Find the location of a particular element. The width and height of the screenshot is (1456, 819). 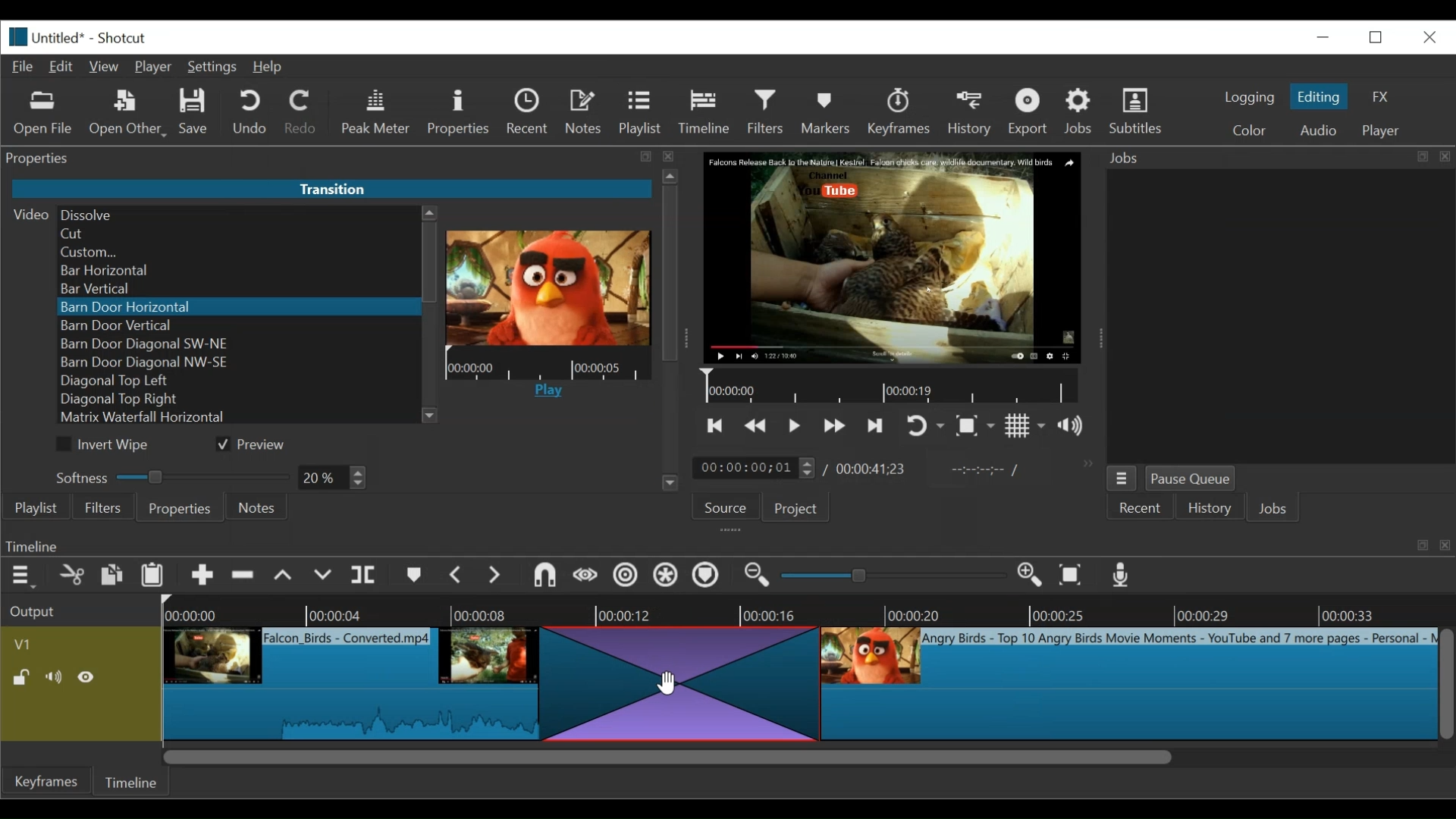

Color is located at coordinates (1247, 128).